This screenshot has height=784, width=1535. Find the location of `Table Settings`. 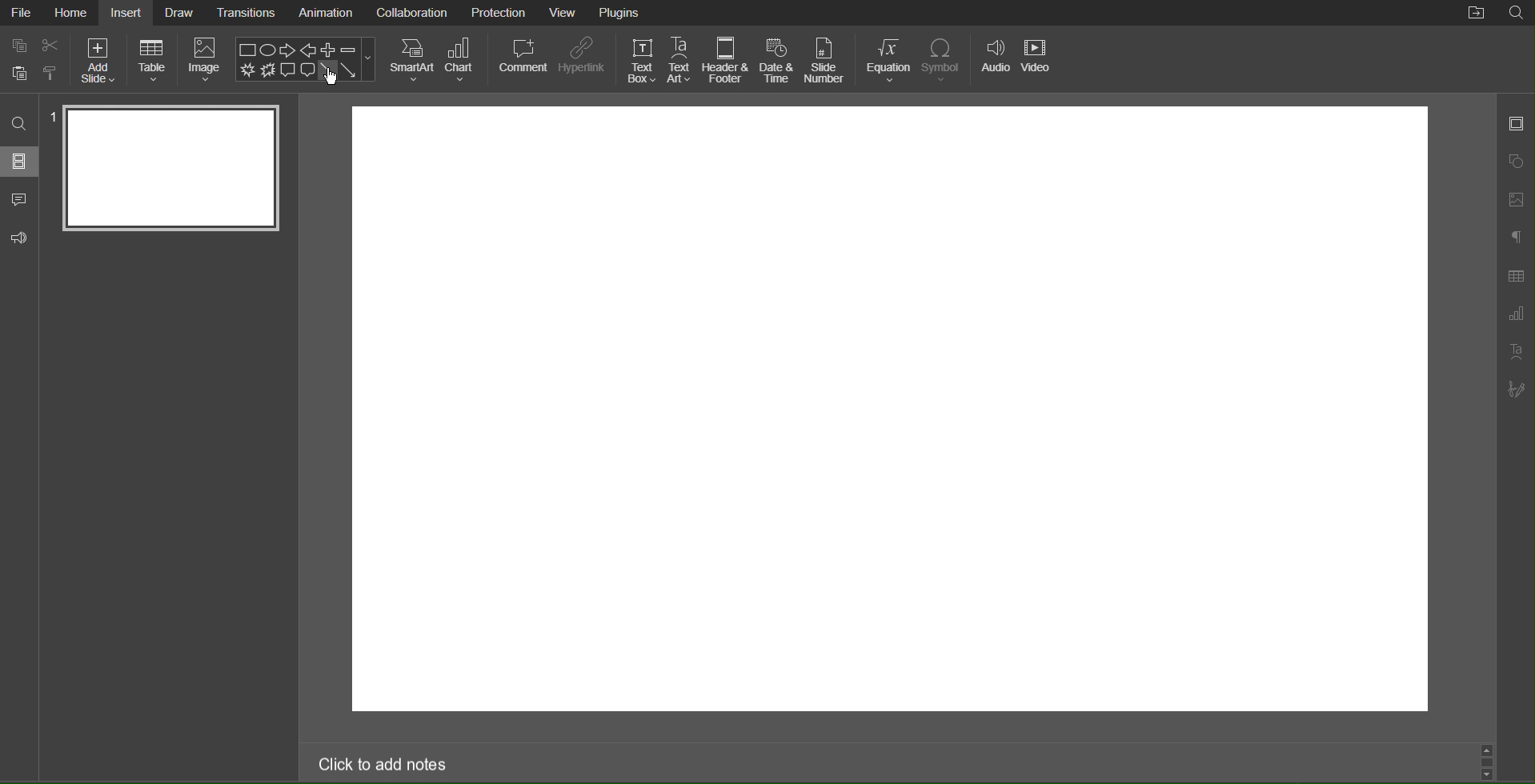

Table Settings is located at coordinates (1516, 275).